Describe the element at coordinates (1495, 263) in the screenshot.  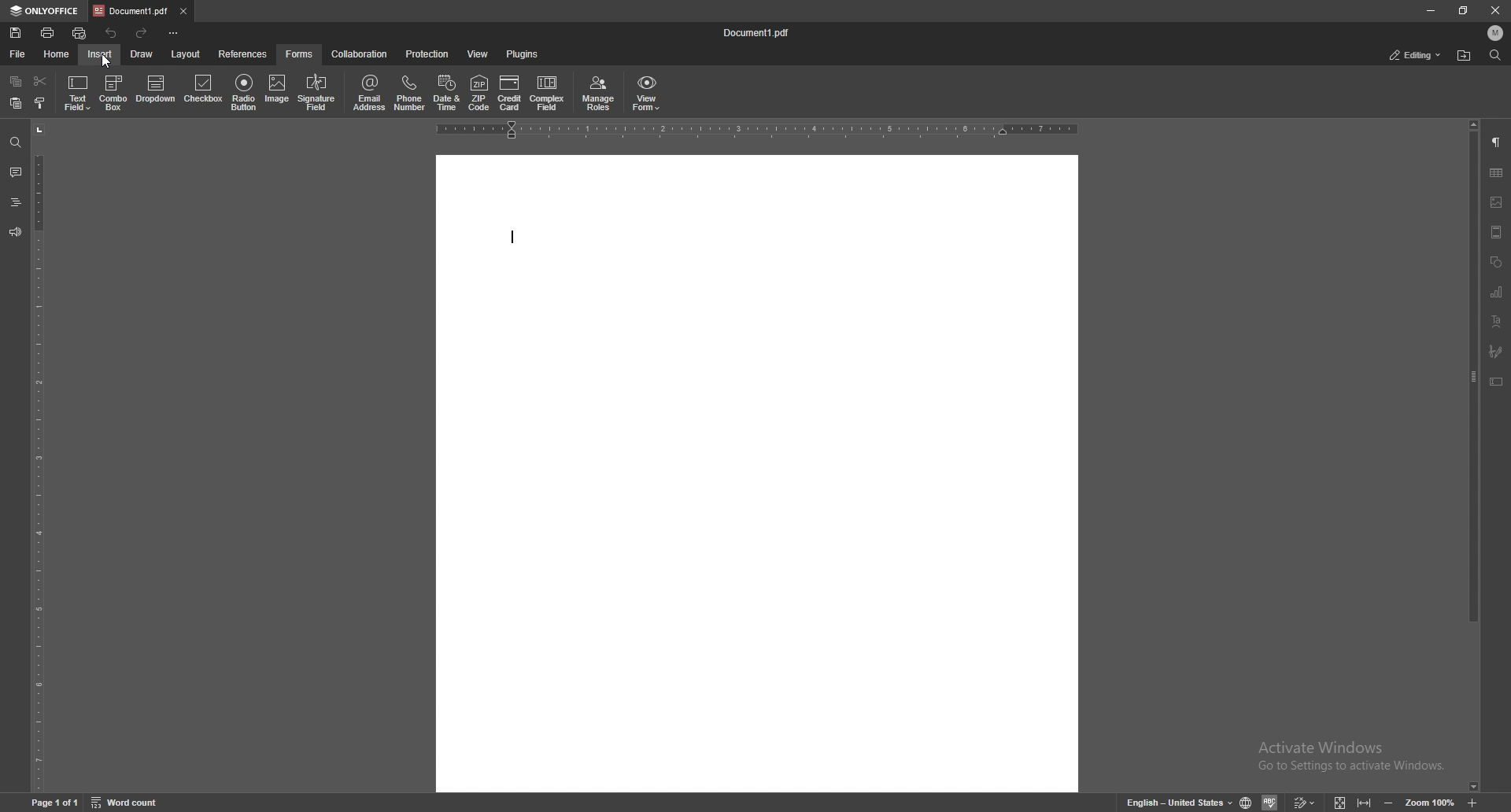
I see `shapes` at that location.